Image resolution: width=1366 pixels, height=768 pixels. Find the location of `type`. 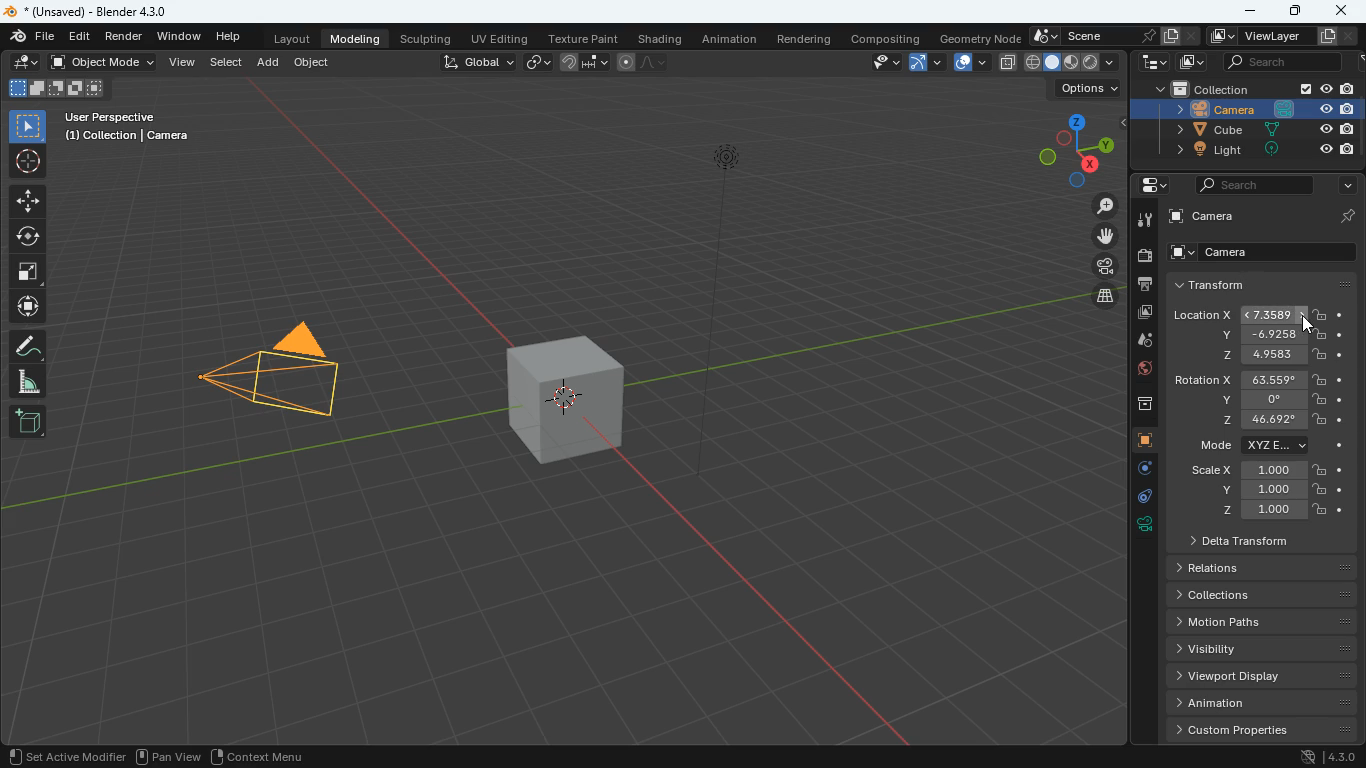

type is located at coordinates (1071, 60).